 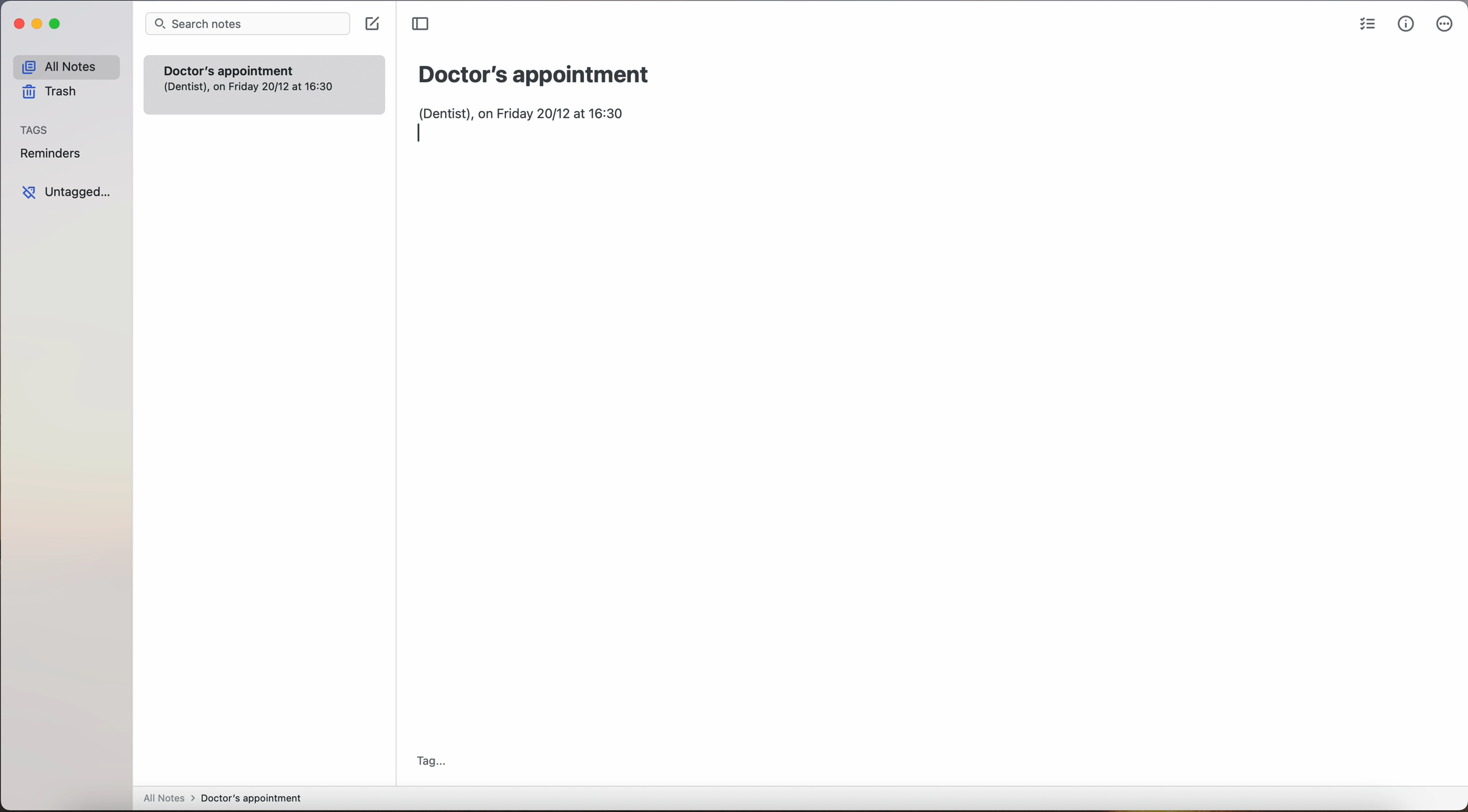 I want to click on text cursor, so click(x=422, y=133).